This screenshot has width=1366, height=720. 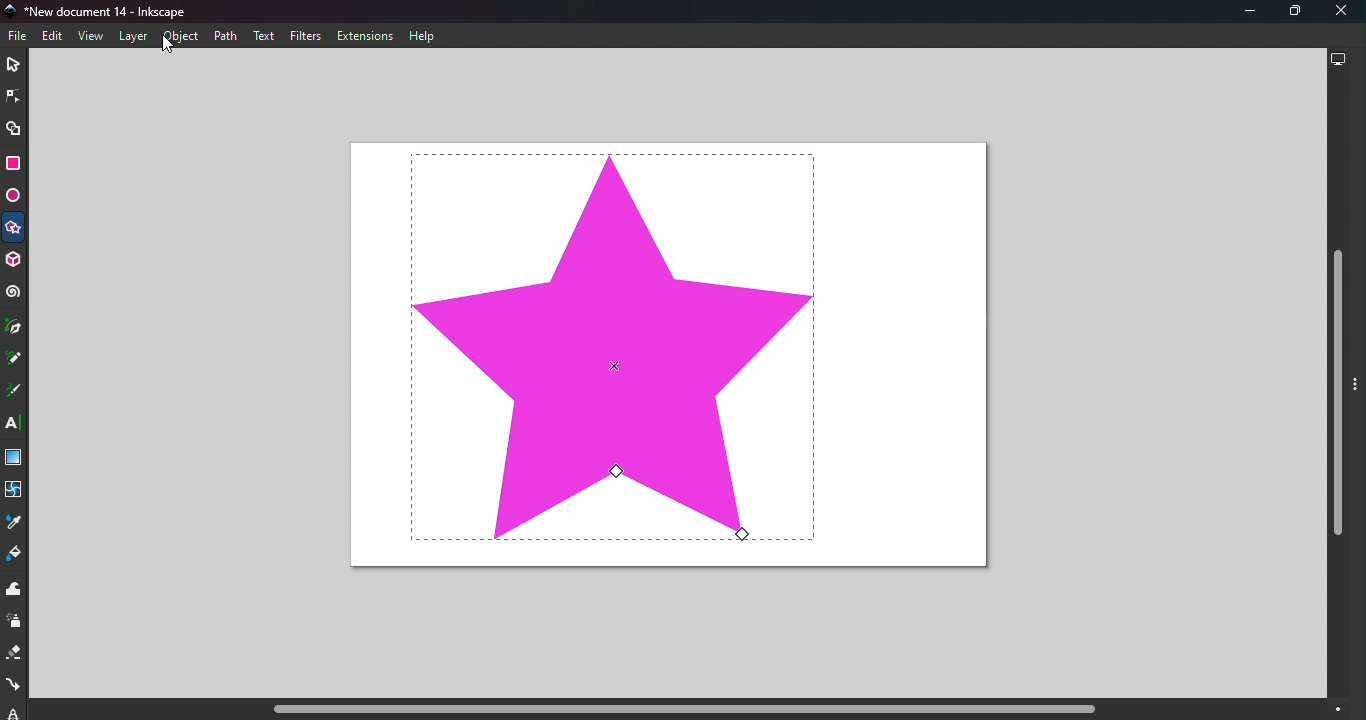 What do you see at coordinates (14, 360) in the screenshot?
I see `Pencil tool` at bounding box center [14, 360].